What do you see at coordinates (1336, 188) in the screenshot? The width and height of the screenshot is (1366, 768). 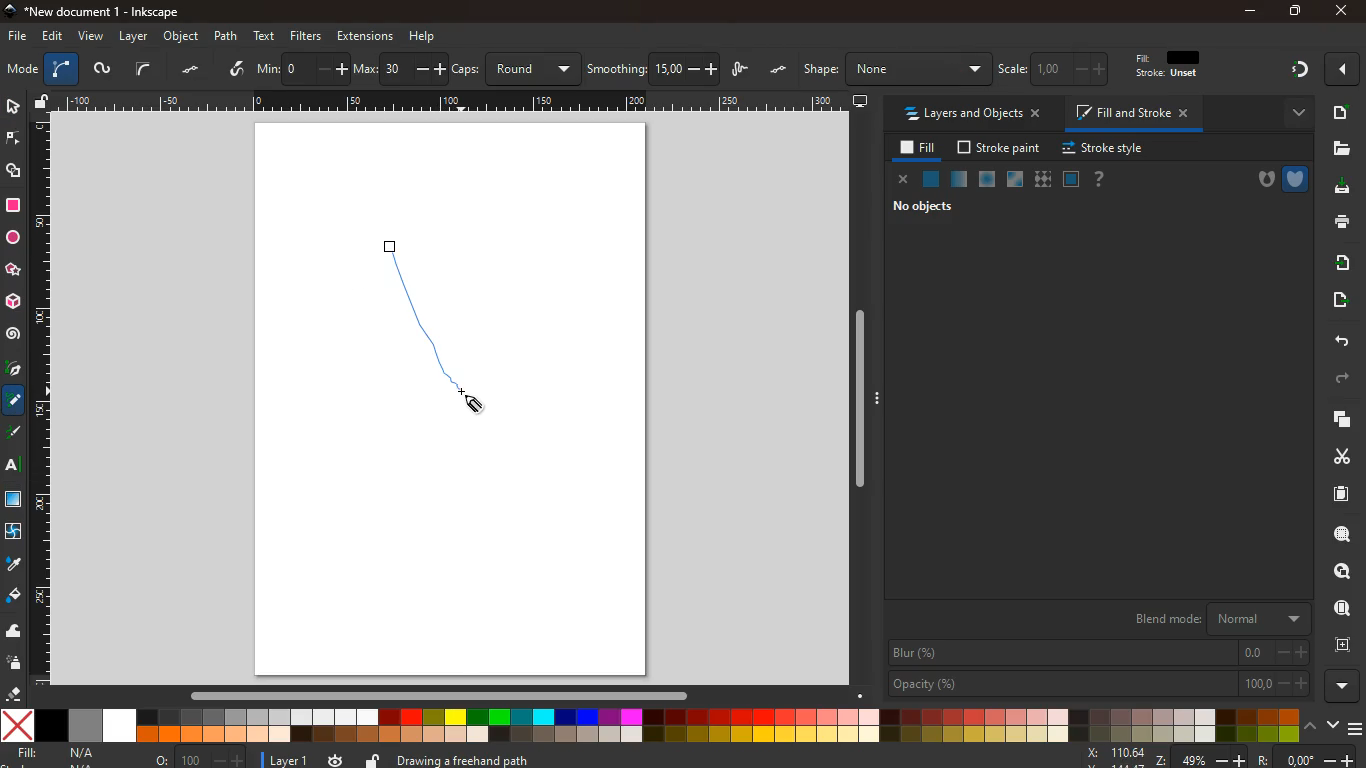 I see `download` at bounding box center [1336, 188].